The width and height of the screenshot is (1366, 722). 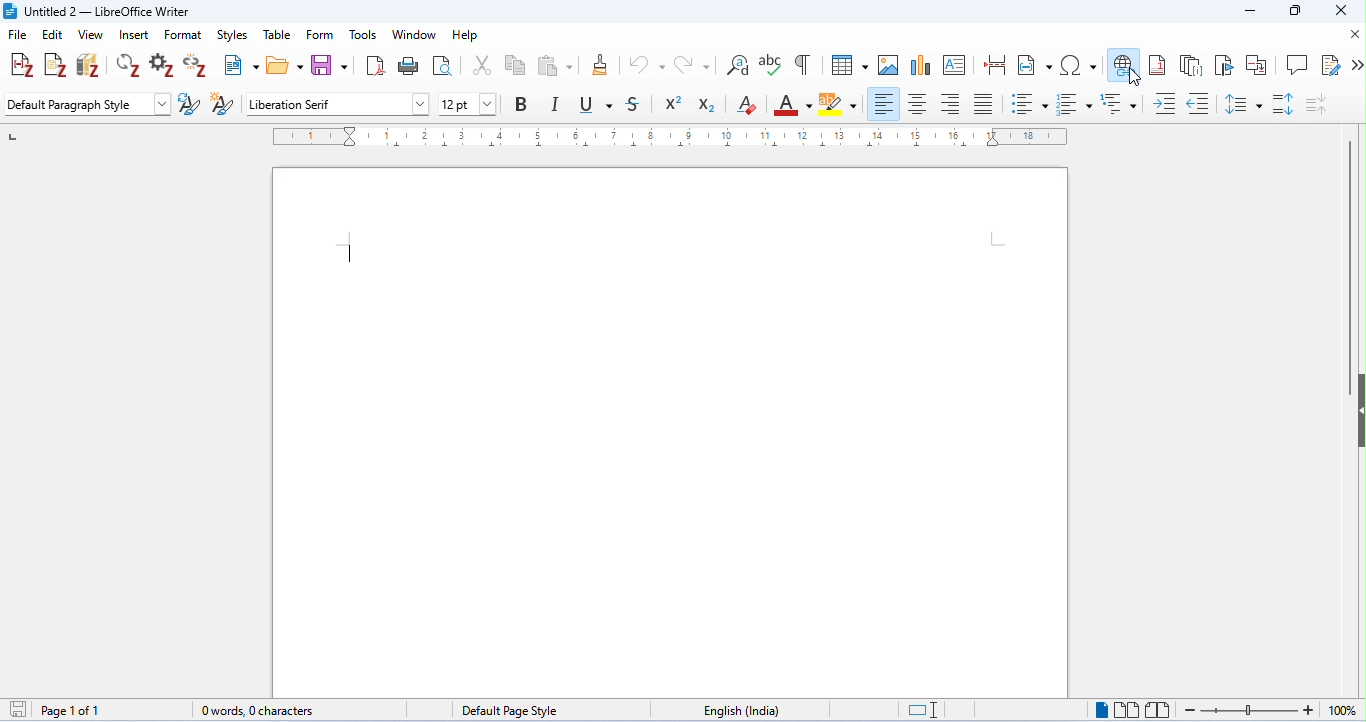 What do you see at coordinates (849, 63) in the screenshot?
I see `insert table` at bounding box center [849, 63].